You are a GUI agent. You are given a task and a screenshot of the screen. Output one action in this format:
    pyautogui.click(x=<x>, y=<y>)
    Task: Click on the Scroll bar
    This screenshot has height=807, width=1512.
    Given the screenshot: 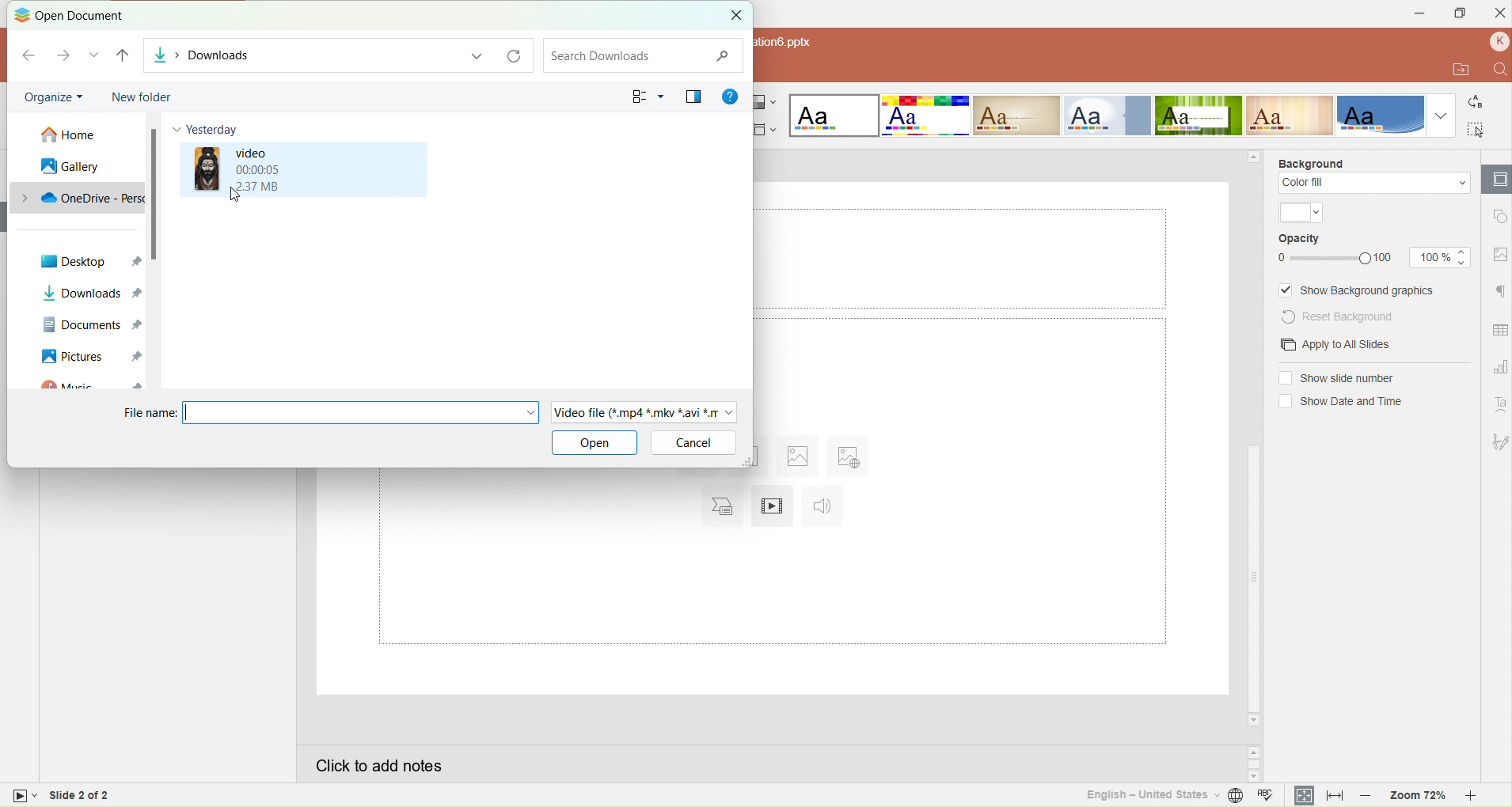 What is the action you would take?
    pyautogui.click(x=157, y=192)
    